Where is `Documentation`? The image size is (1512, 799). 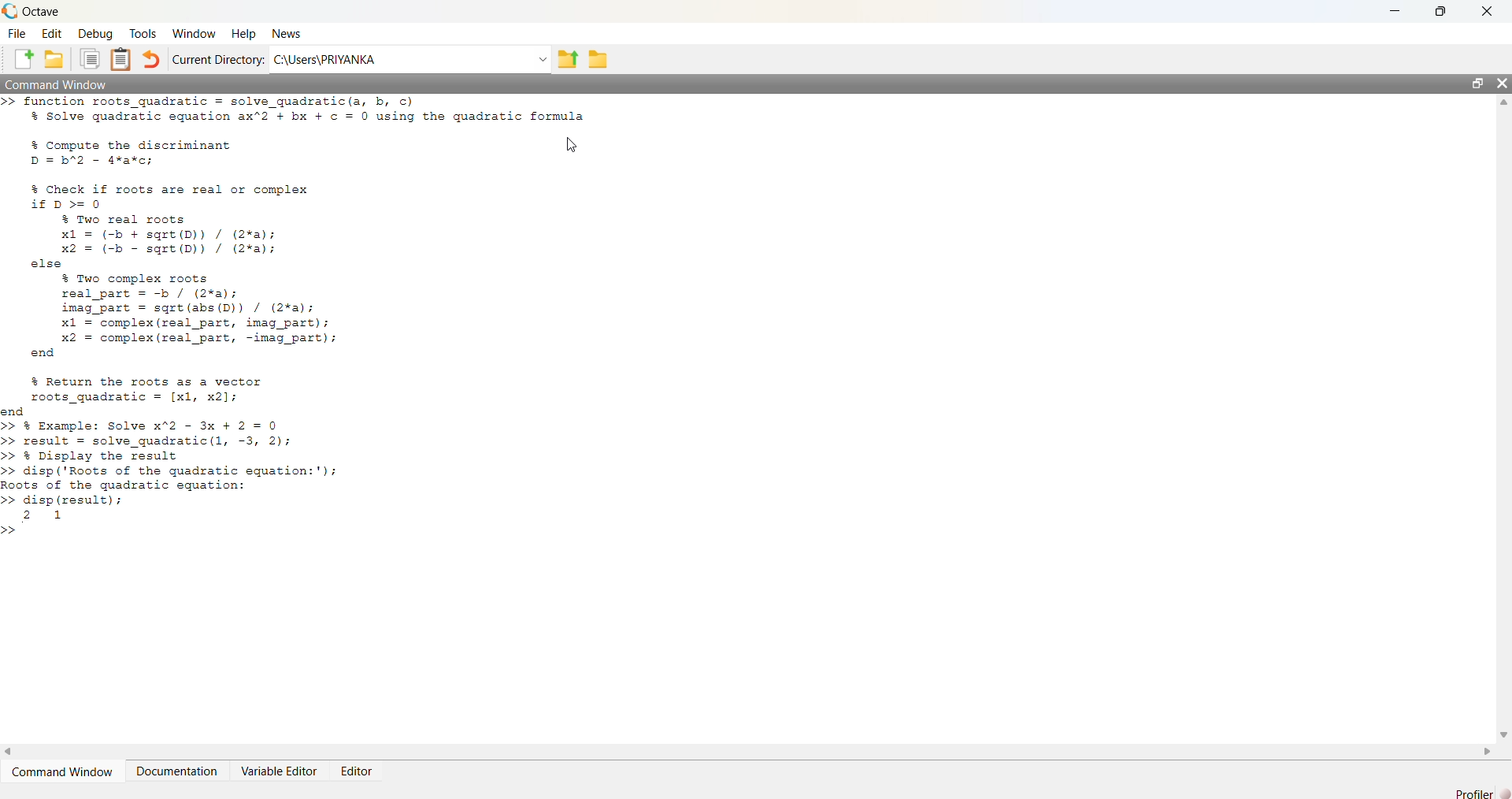 Documentation is located at coordinates (179, 770).